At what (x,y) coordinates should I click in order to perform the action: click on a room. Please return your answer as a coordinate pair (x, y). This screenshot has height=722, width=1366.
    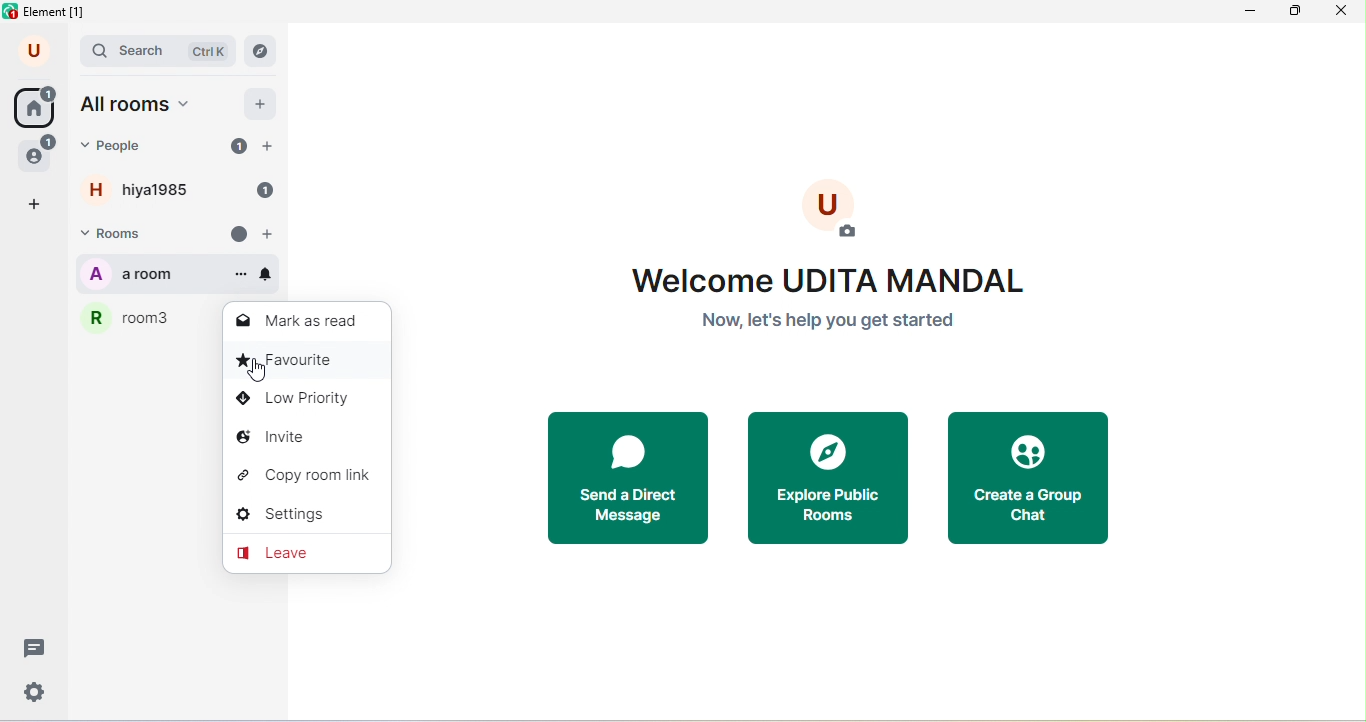
    Looking at the image, I should click on (155, 274).